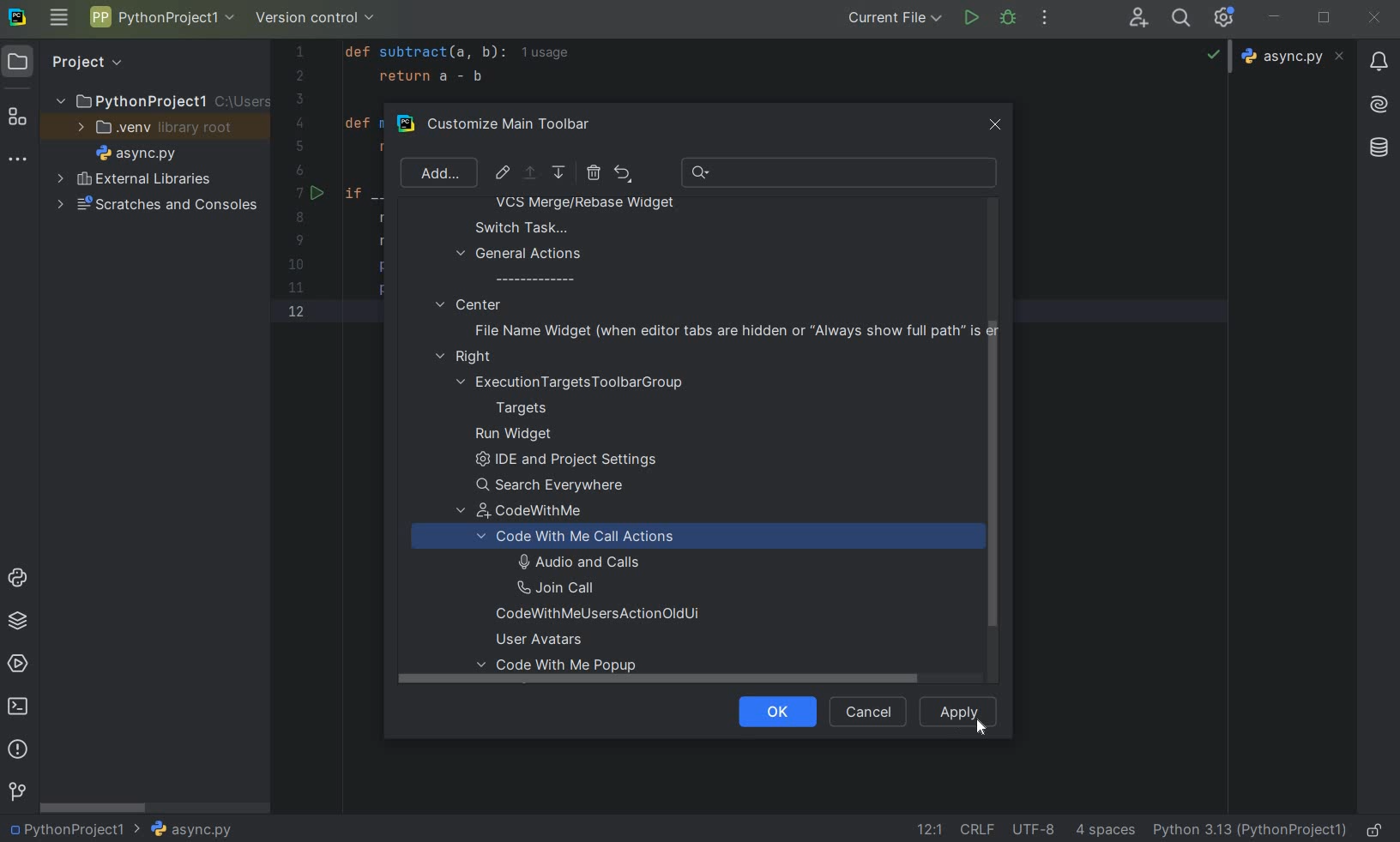 The width and height of the screenshot is (1400, 842). Describe the element at coordinates (440, 174) in the screenshot. I see `add` at that location.